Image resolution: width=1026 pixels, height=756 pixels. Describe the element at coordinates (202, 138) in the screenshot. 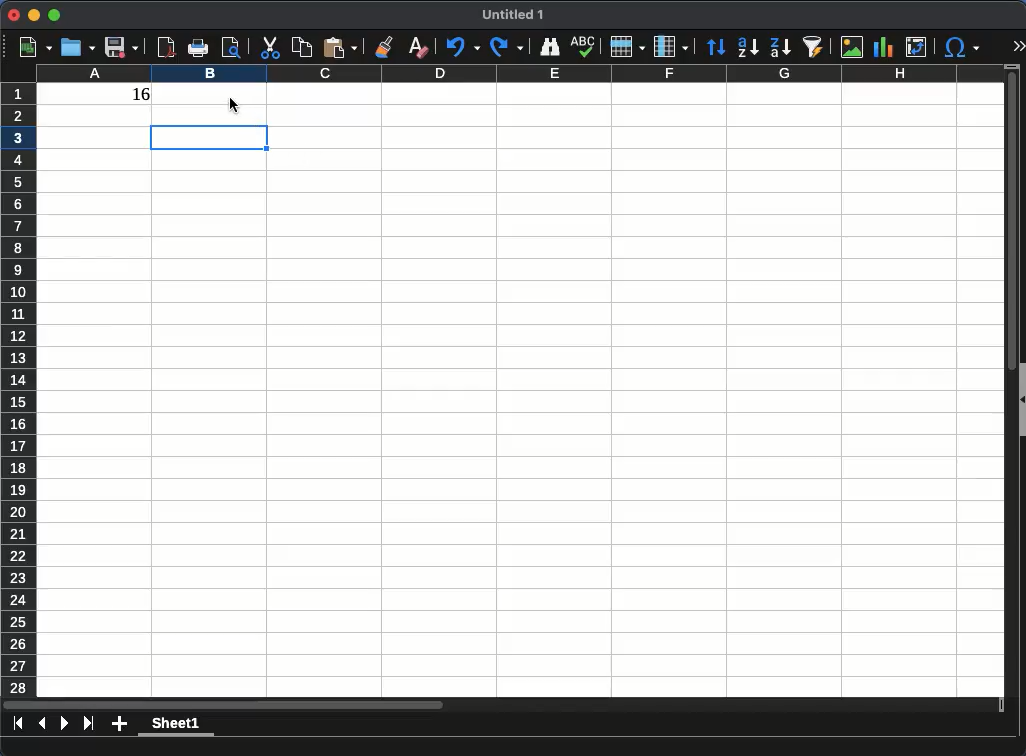

I see `cell selected` at that location.